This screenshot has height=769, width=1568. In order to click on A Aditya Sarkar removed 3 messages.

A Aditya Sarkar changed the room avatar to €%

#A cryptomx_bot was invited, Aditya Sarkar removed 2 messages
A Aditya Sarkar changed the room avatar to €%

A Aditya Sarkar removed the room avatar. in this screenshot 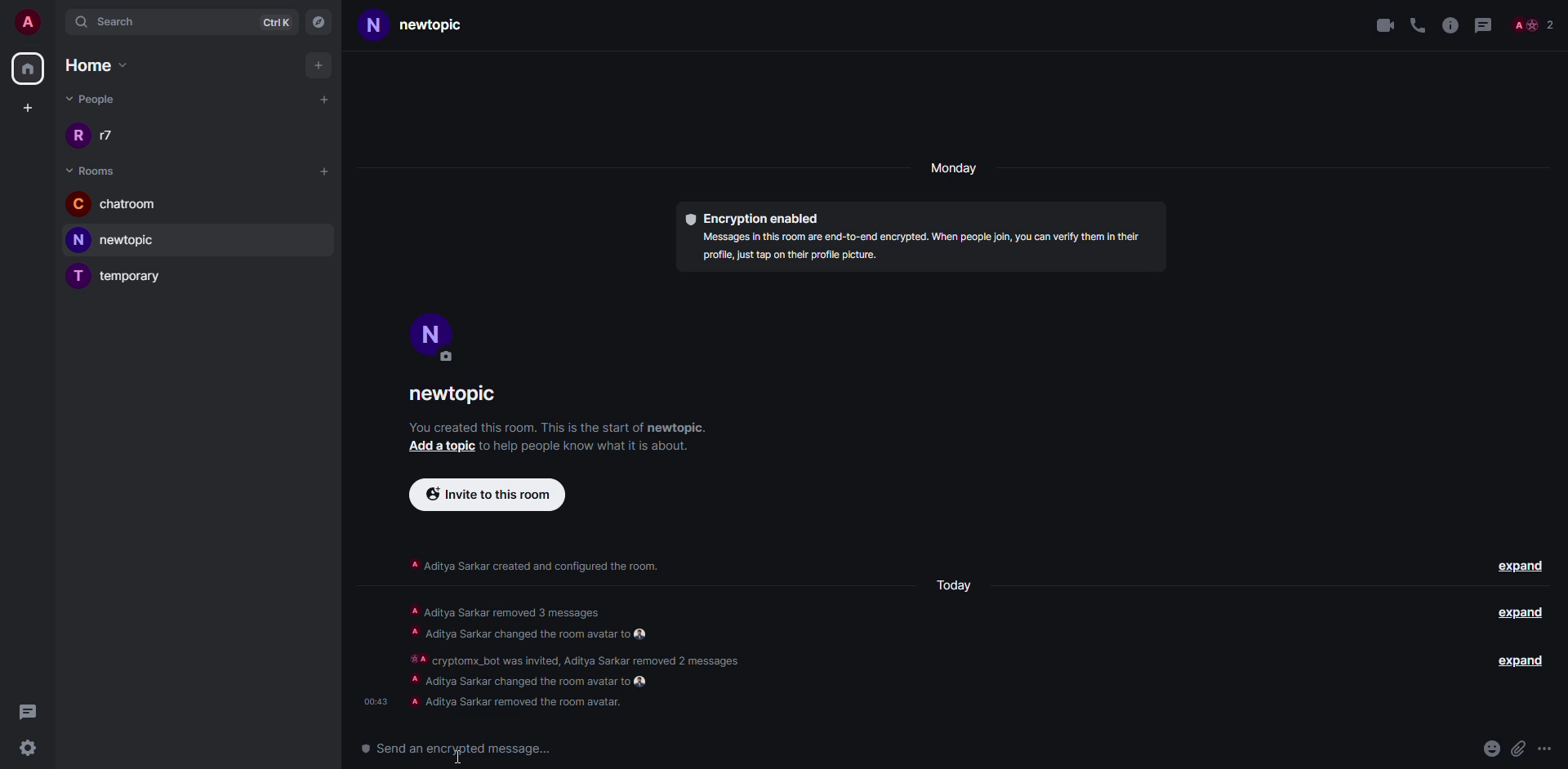, I will do `click(591, 655)`.